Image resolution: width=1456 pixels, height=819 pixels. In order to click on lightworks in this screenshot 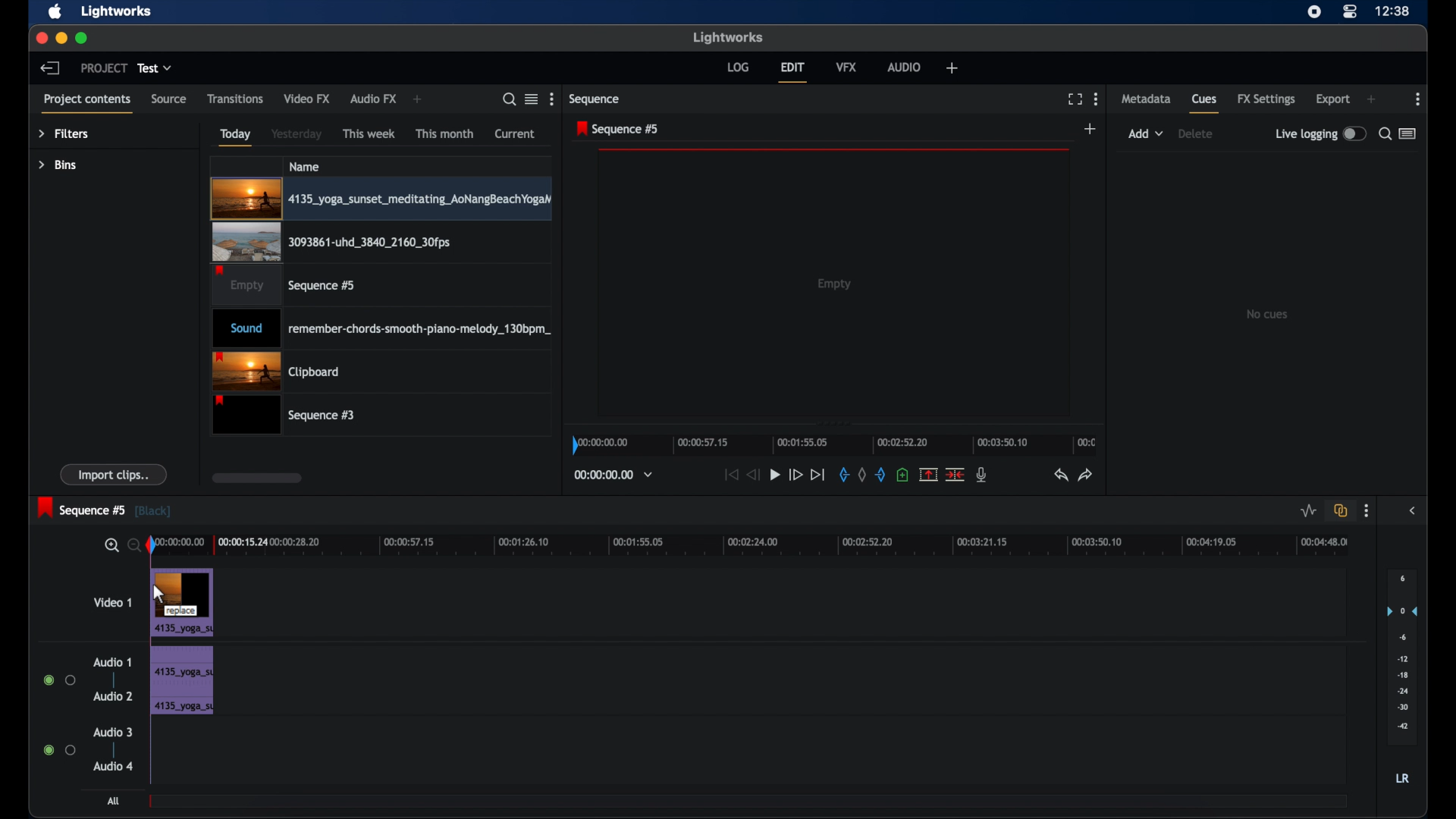, I will do `click(118, 11)`.